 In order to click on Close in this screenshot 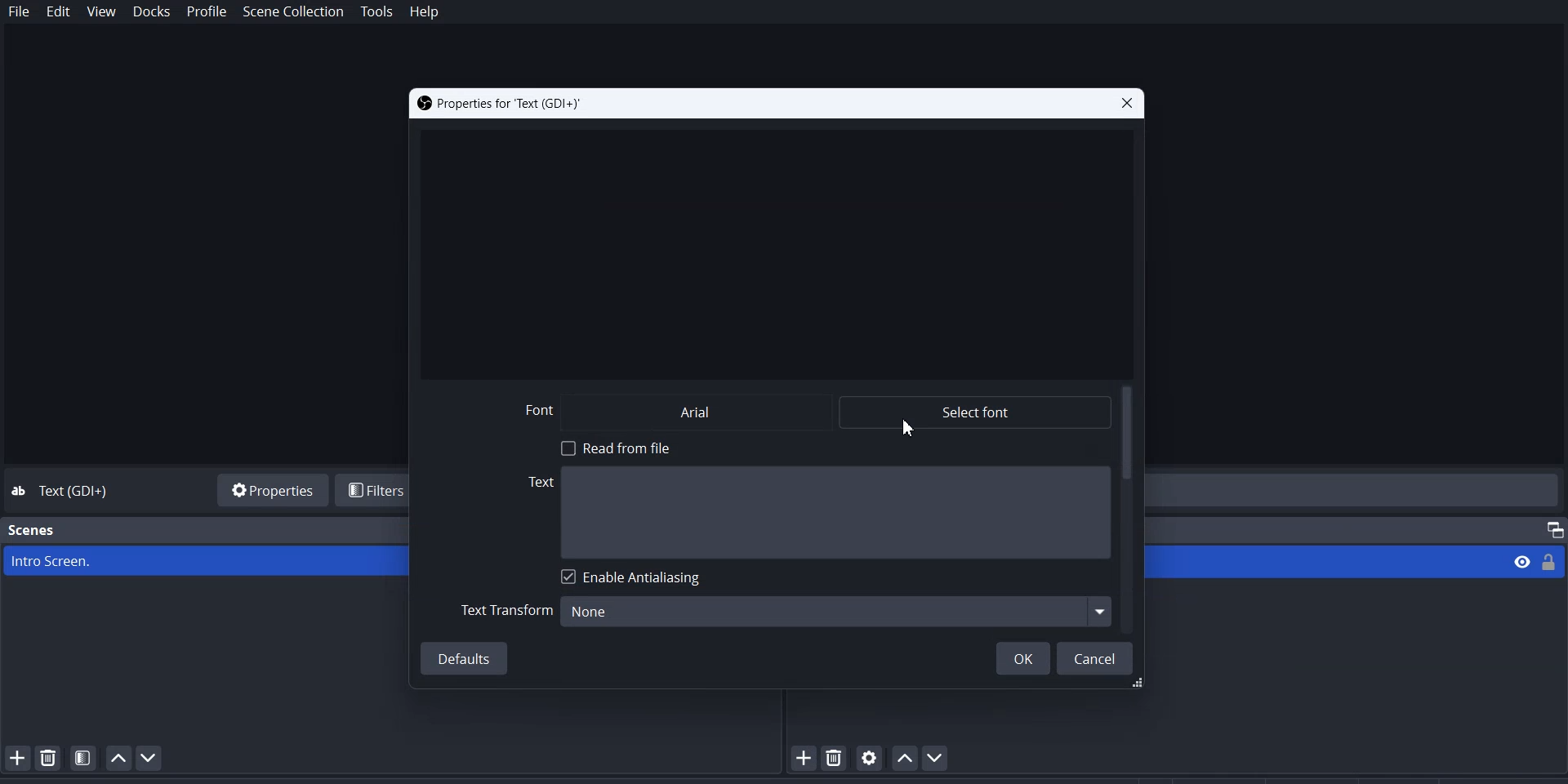, I will do `click(1125, 104)`.